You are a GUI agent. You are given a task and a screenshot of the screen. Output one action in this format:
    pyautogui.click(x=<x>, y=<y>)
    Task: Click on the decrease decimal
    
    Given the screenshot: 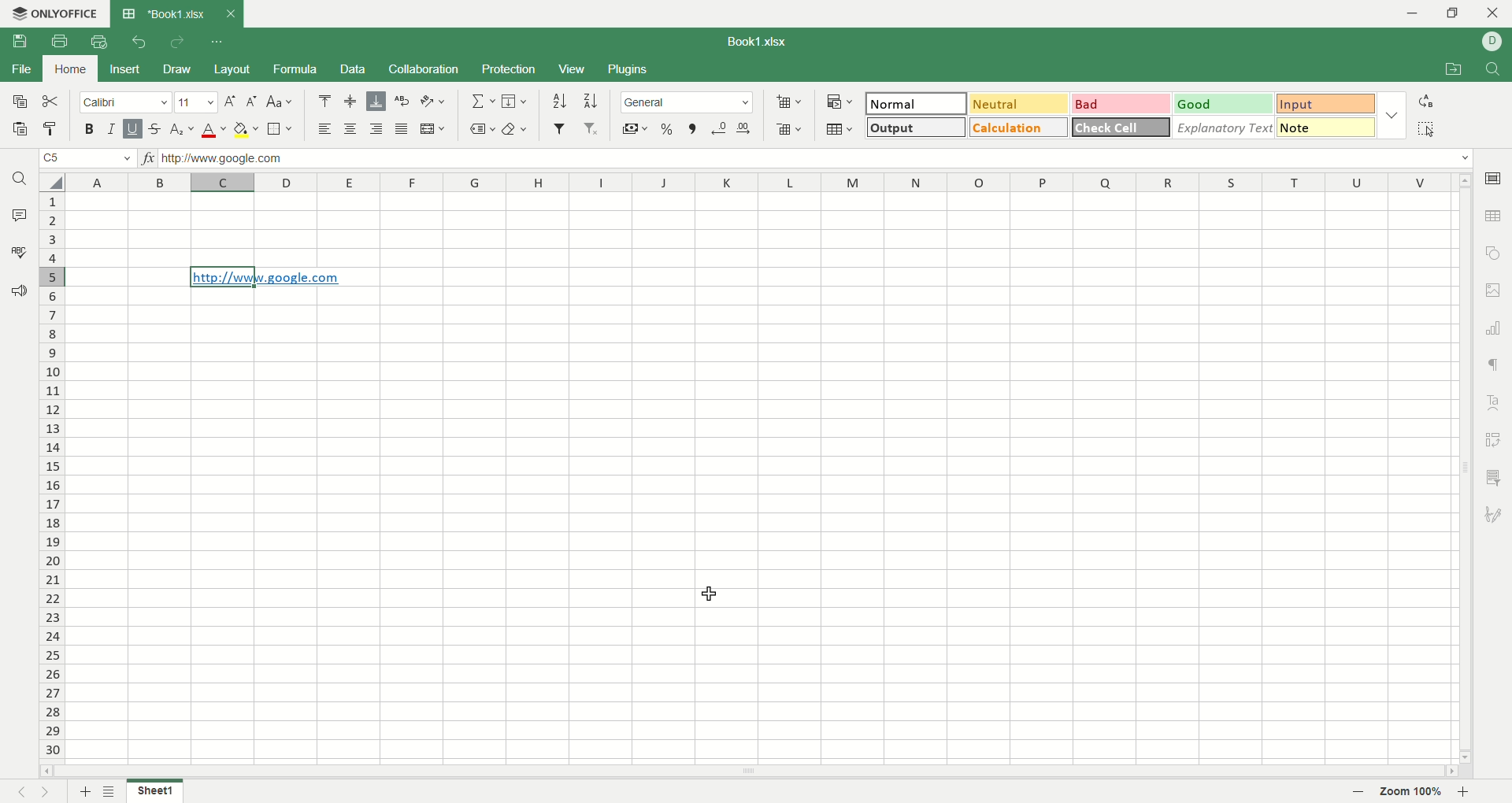 What is the action you would take?
    pyautogui.click(x=720, y=128)
    